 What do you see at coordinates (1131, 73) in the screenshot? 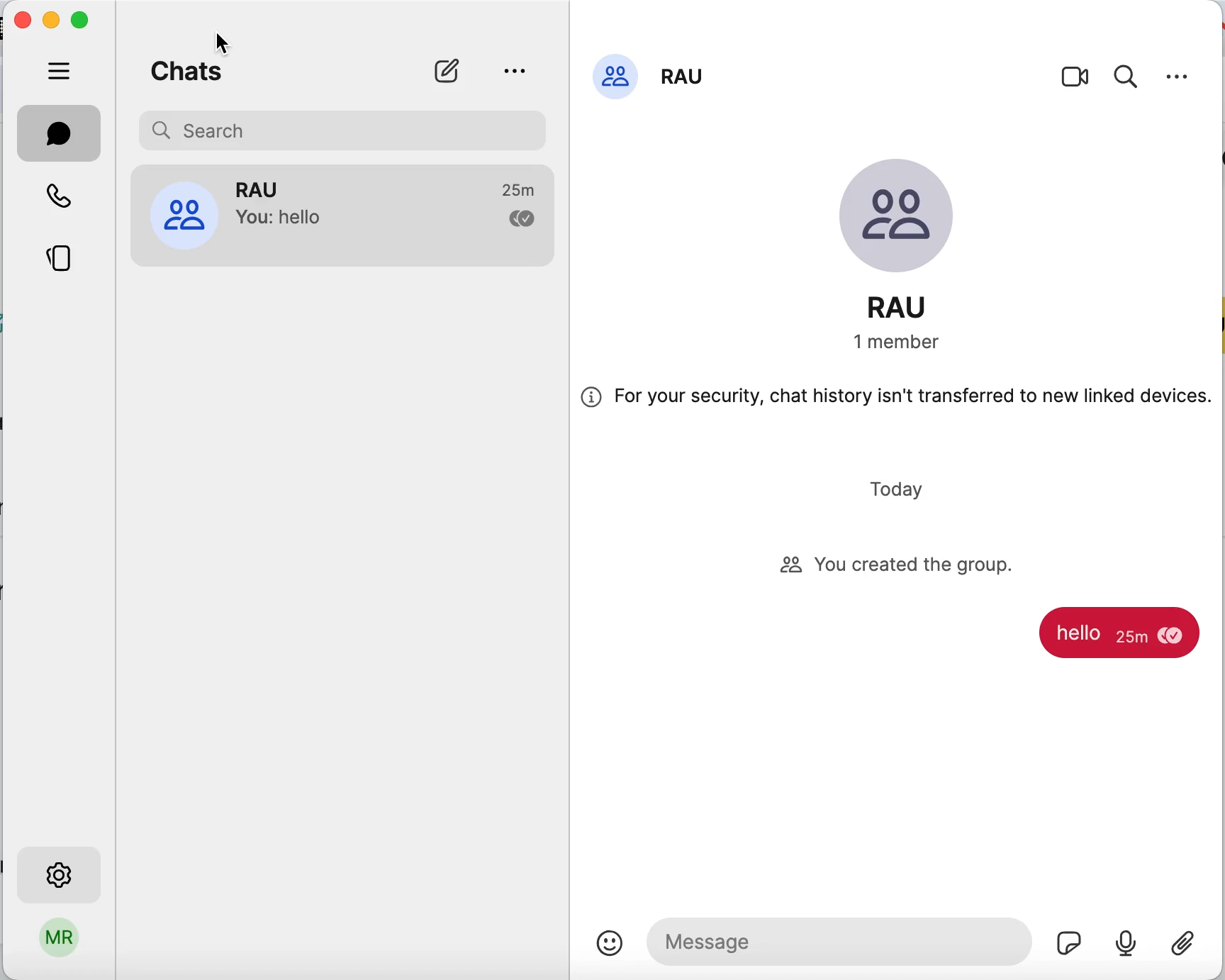
I see `search` at bounding box center [1131, 73].